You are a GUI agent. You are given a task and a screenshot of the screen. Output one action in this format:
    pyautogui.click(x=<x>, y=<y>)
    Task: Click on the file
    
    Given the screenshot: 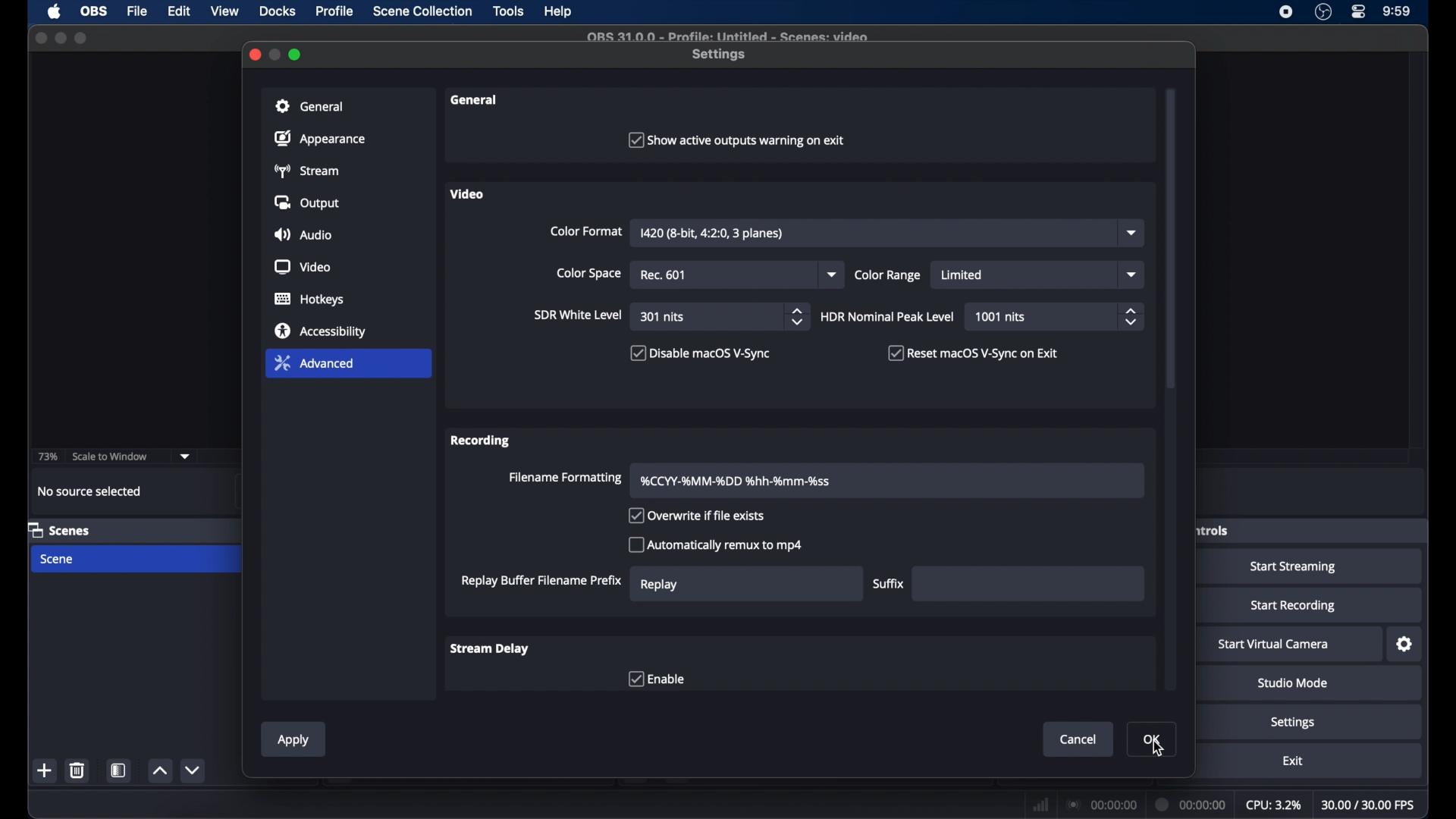 What is the action you would take?
    pyautogui.click(x=137, y=10)
    